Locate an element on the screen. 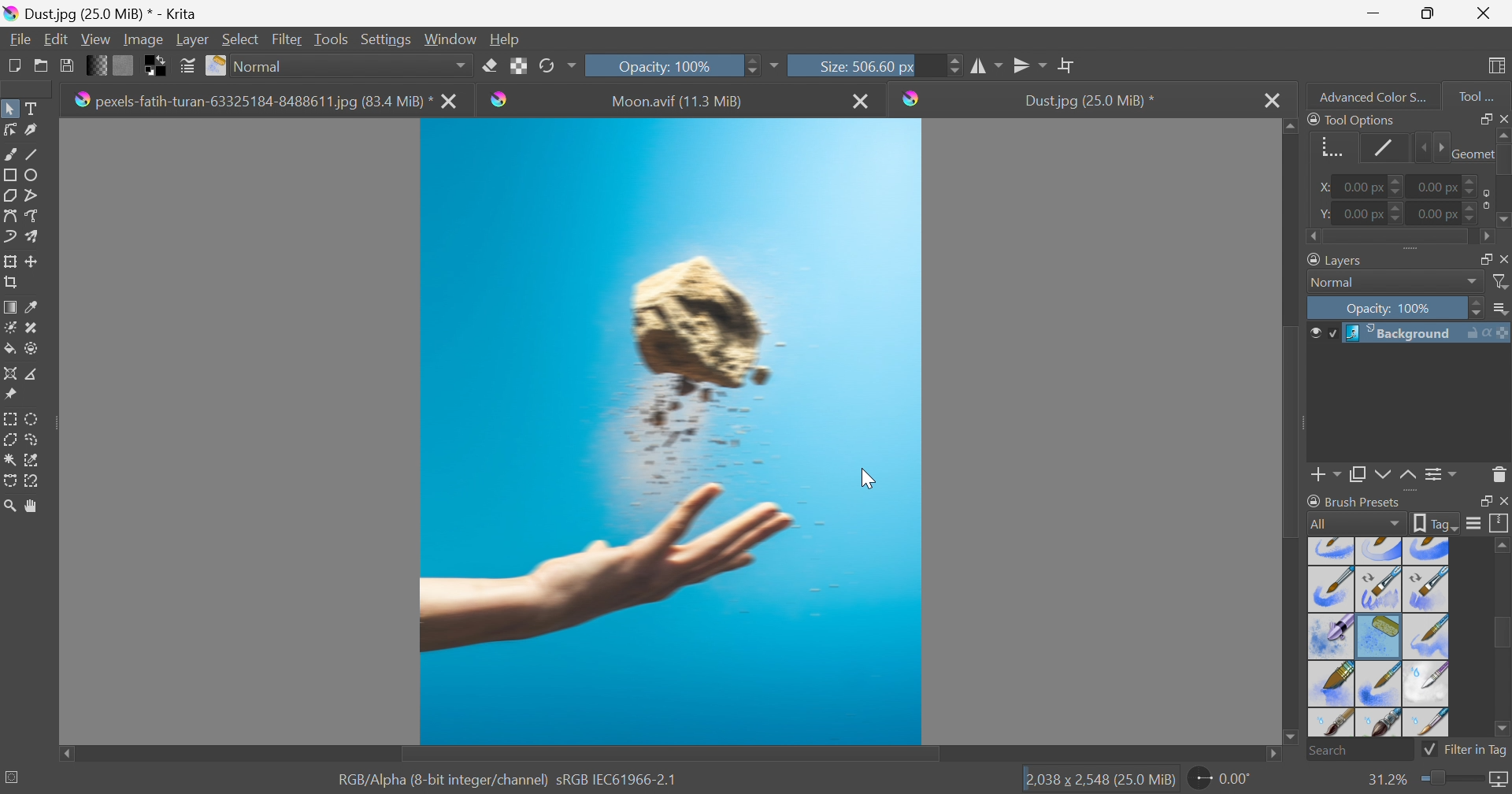 Image resolution: width=1512 pixels, height=794 pixels. Edit brush preset is located at coordinates (187, 66).